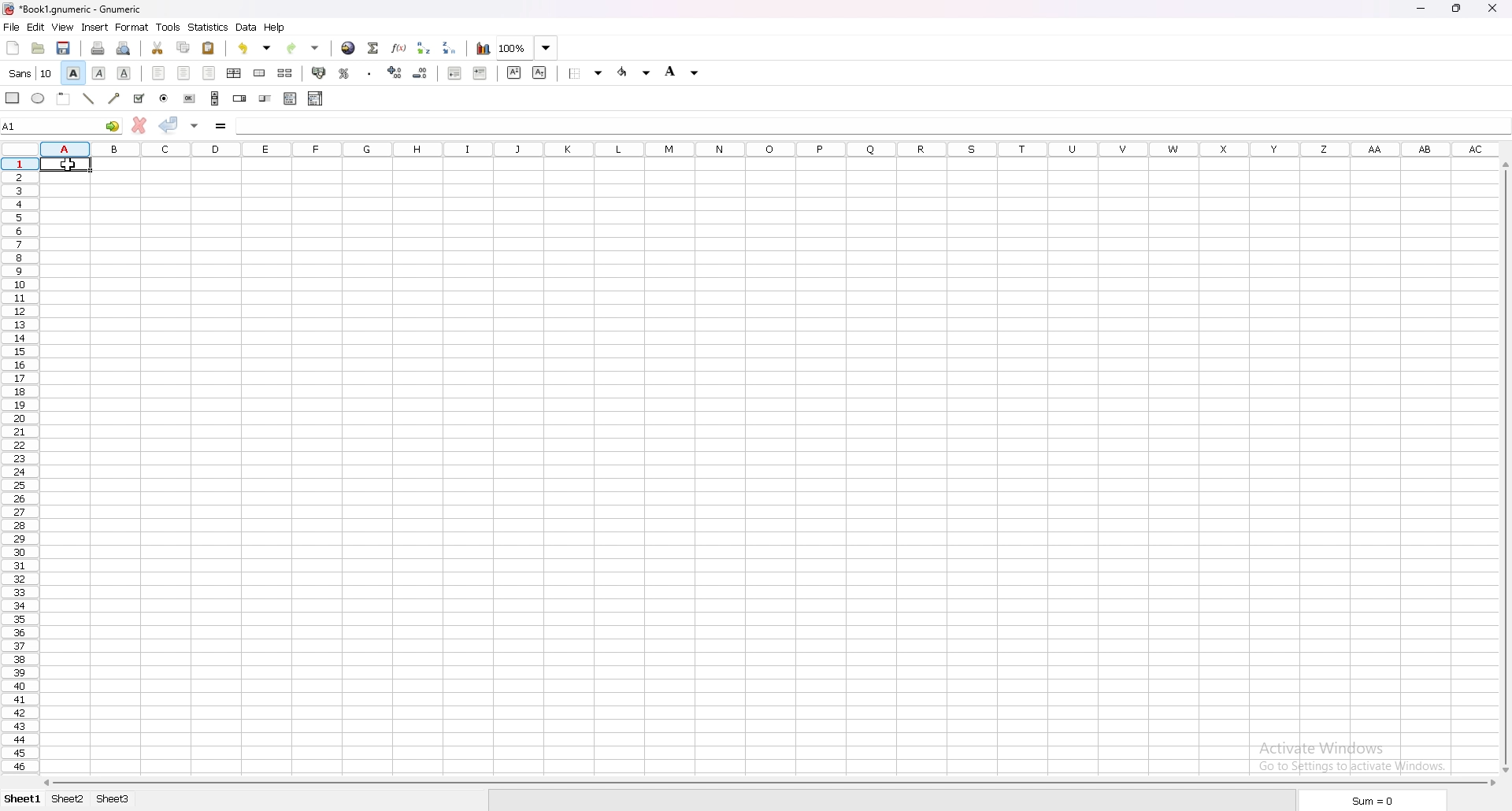  I want to click on decrease decimal, so click(420, 72).